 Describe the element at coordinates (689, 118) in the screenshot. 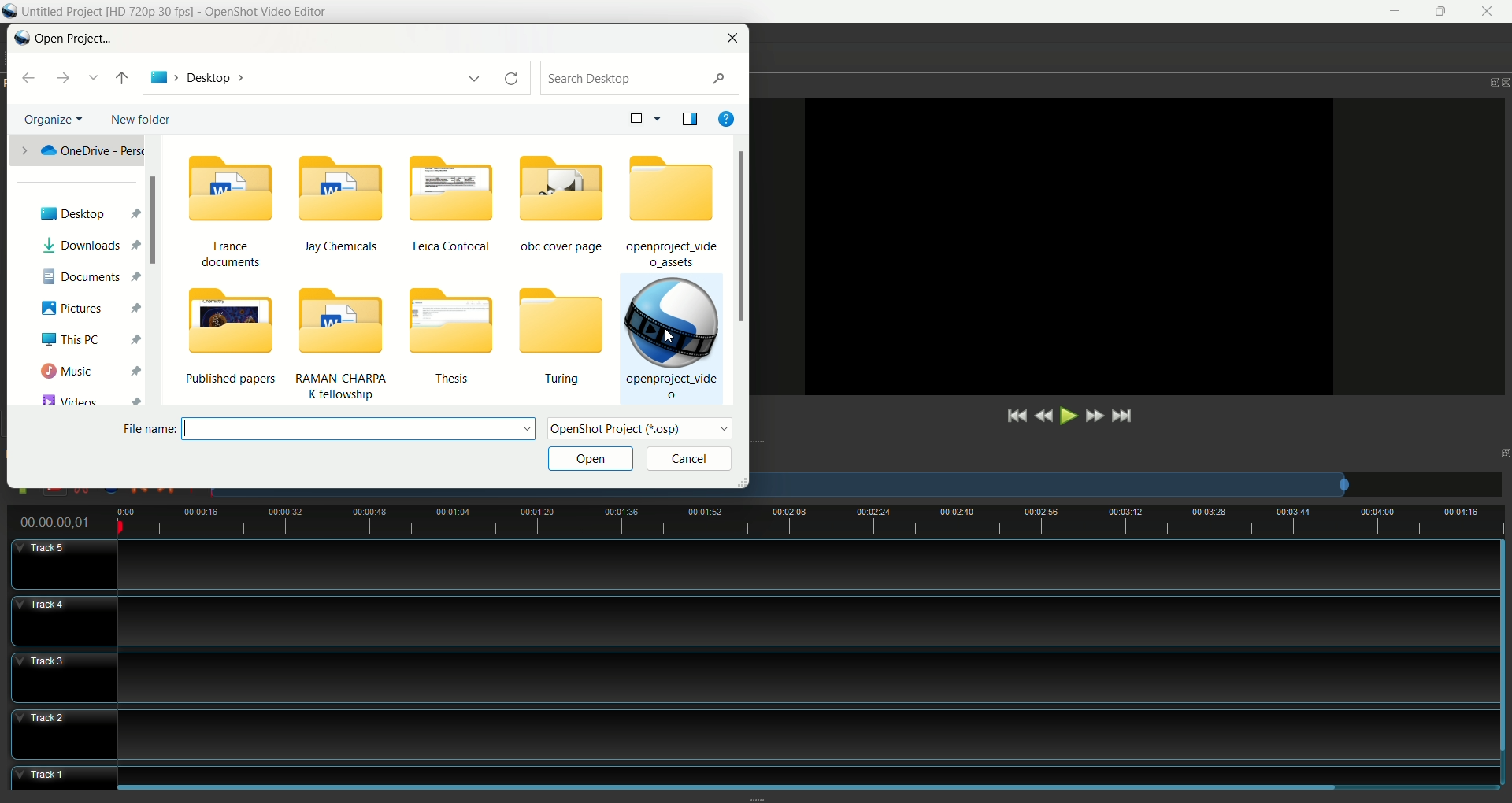

I see `preview pane` at that location.